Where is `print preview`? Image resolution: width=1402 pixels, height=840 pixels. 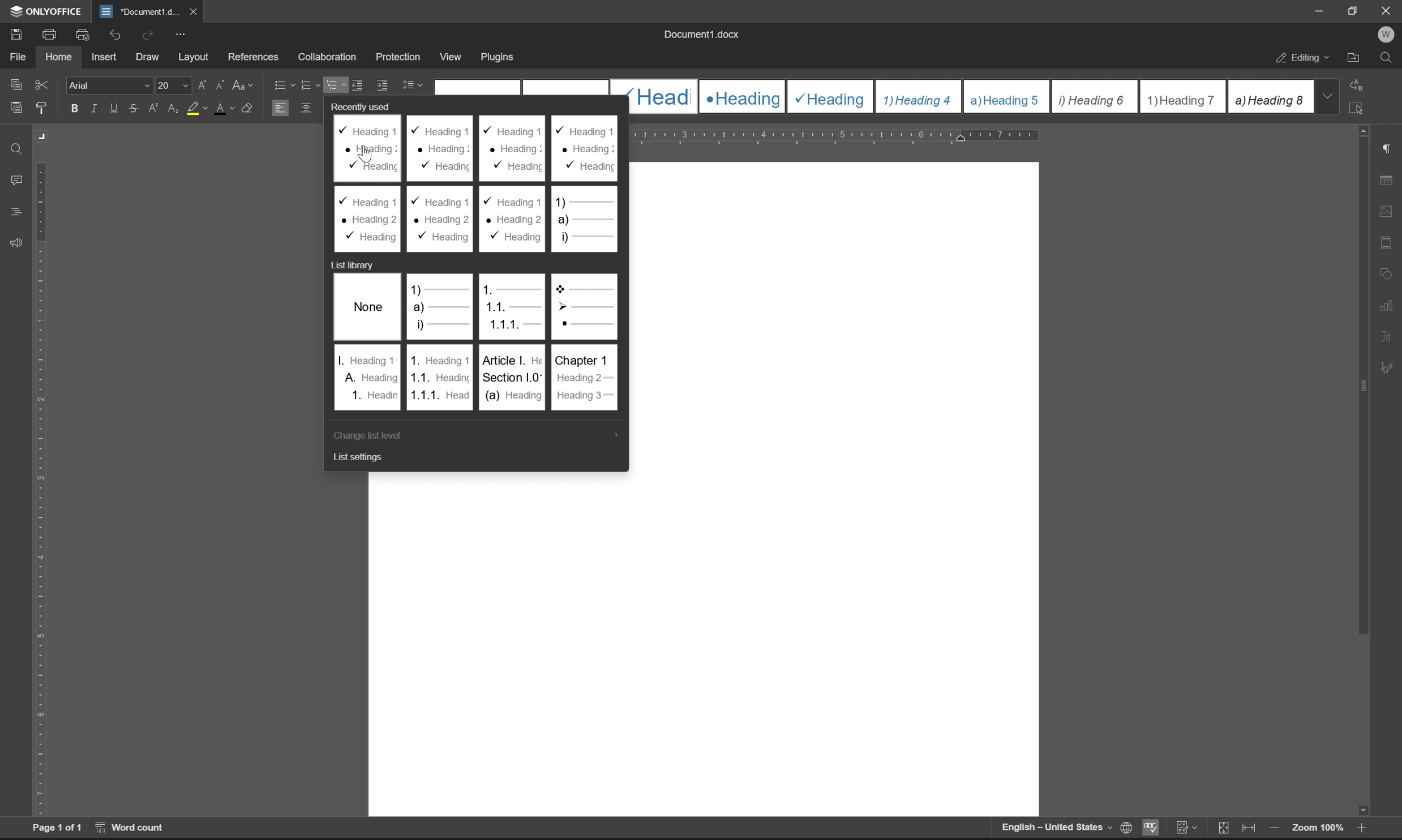 print preview is located at coordinates (84, 35).